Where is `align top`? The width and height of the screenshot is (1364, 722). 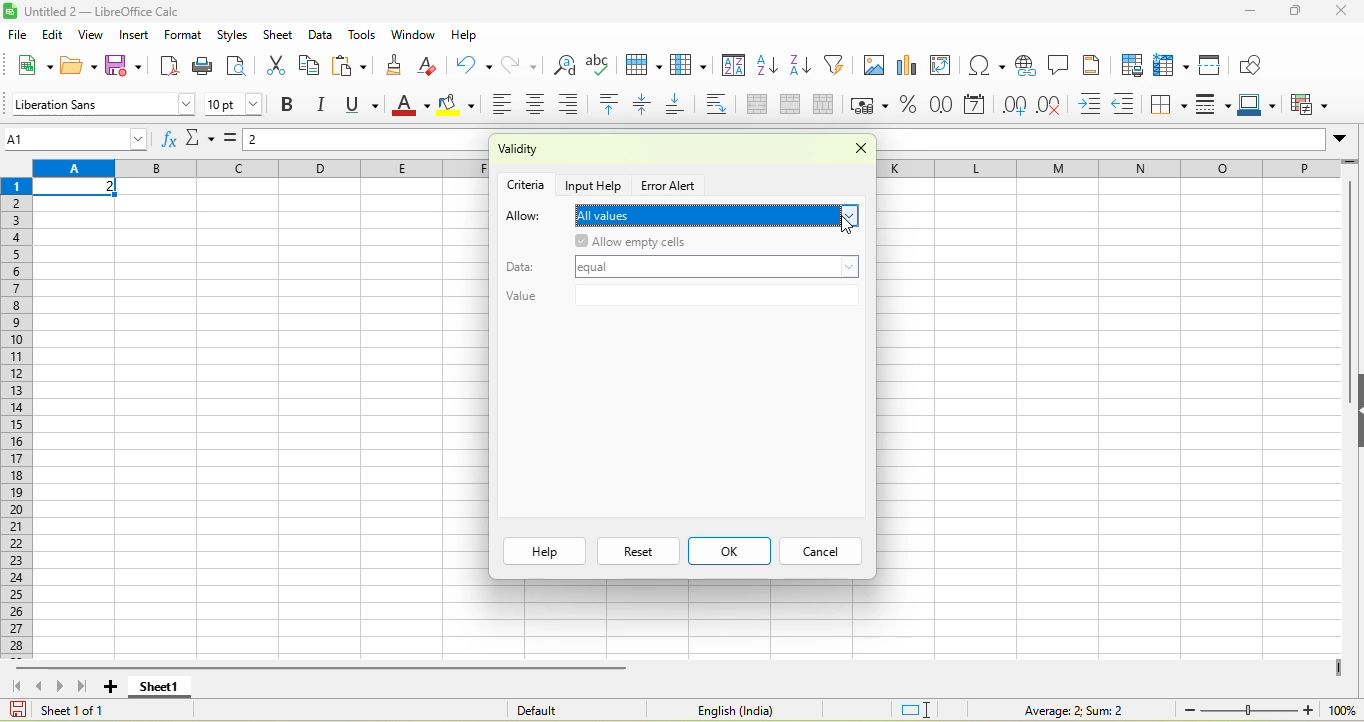
align top is located at coordinates (612, 105).